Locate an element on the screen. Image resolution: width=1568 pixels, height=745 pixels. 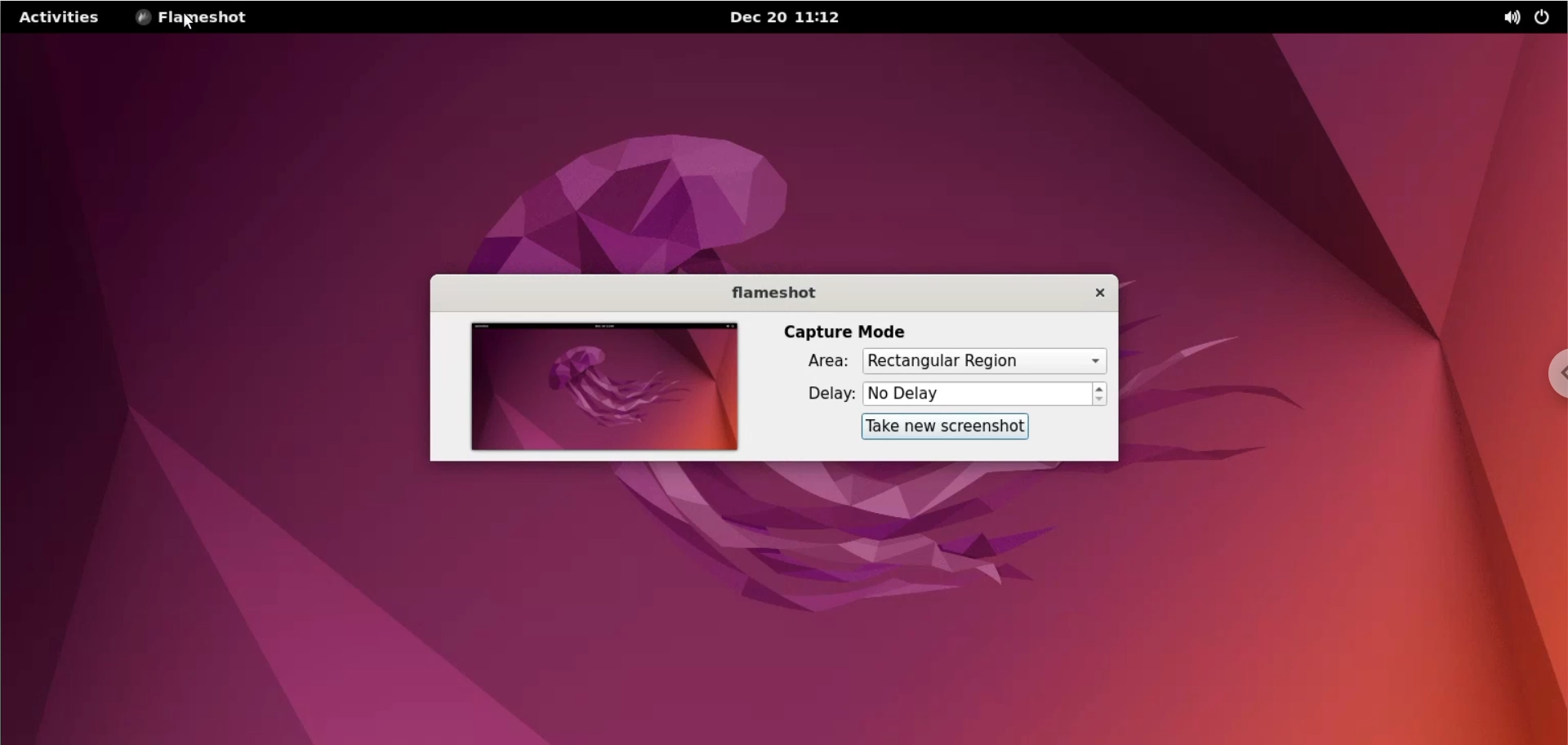
activities is located at coordinates (60, 20).